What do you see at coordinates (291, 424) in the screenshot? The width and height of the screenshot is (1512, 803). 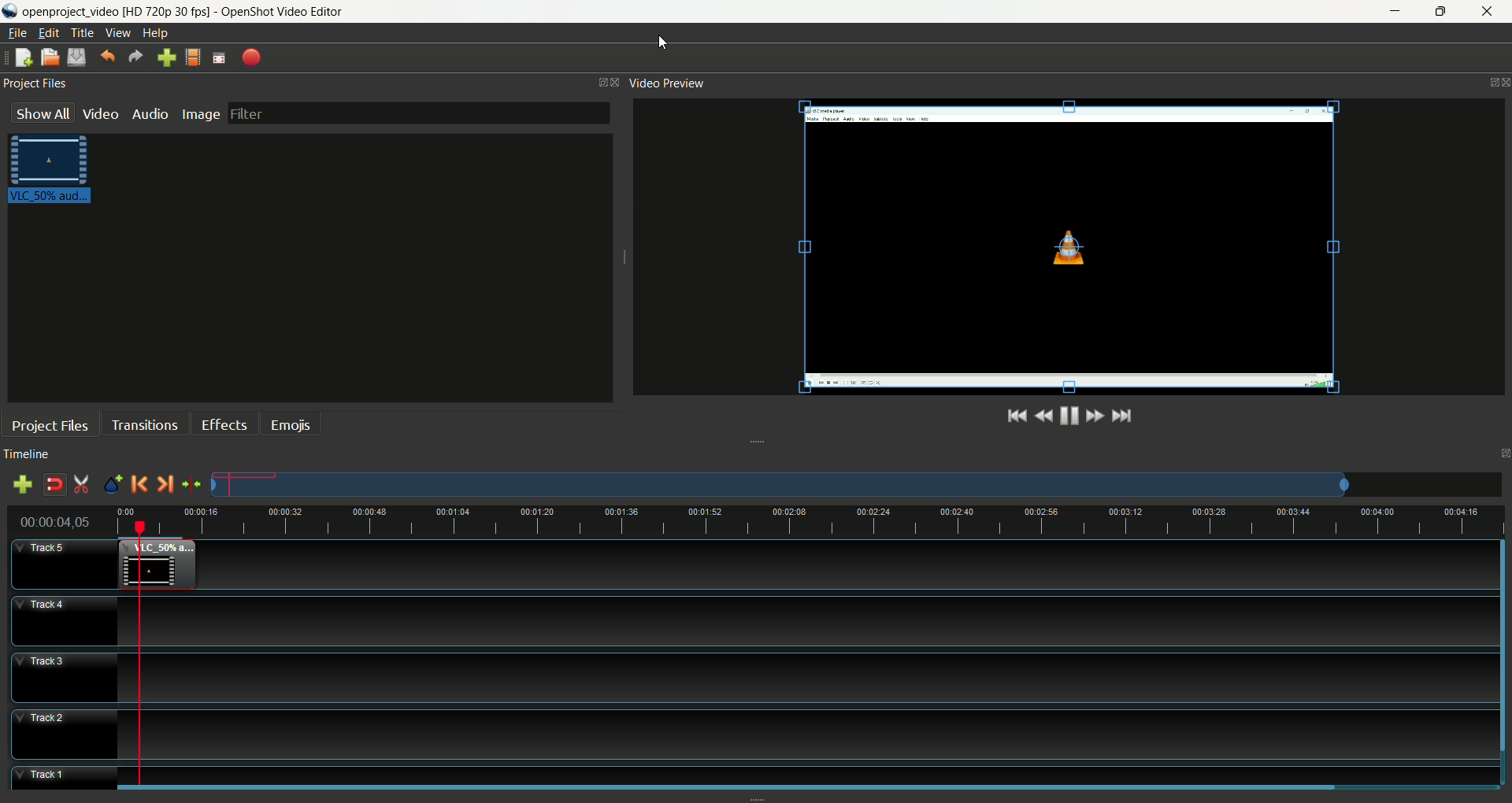 I see `emojis` at bounding box center [291, 424].